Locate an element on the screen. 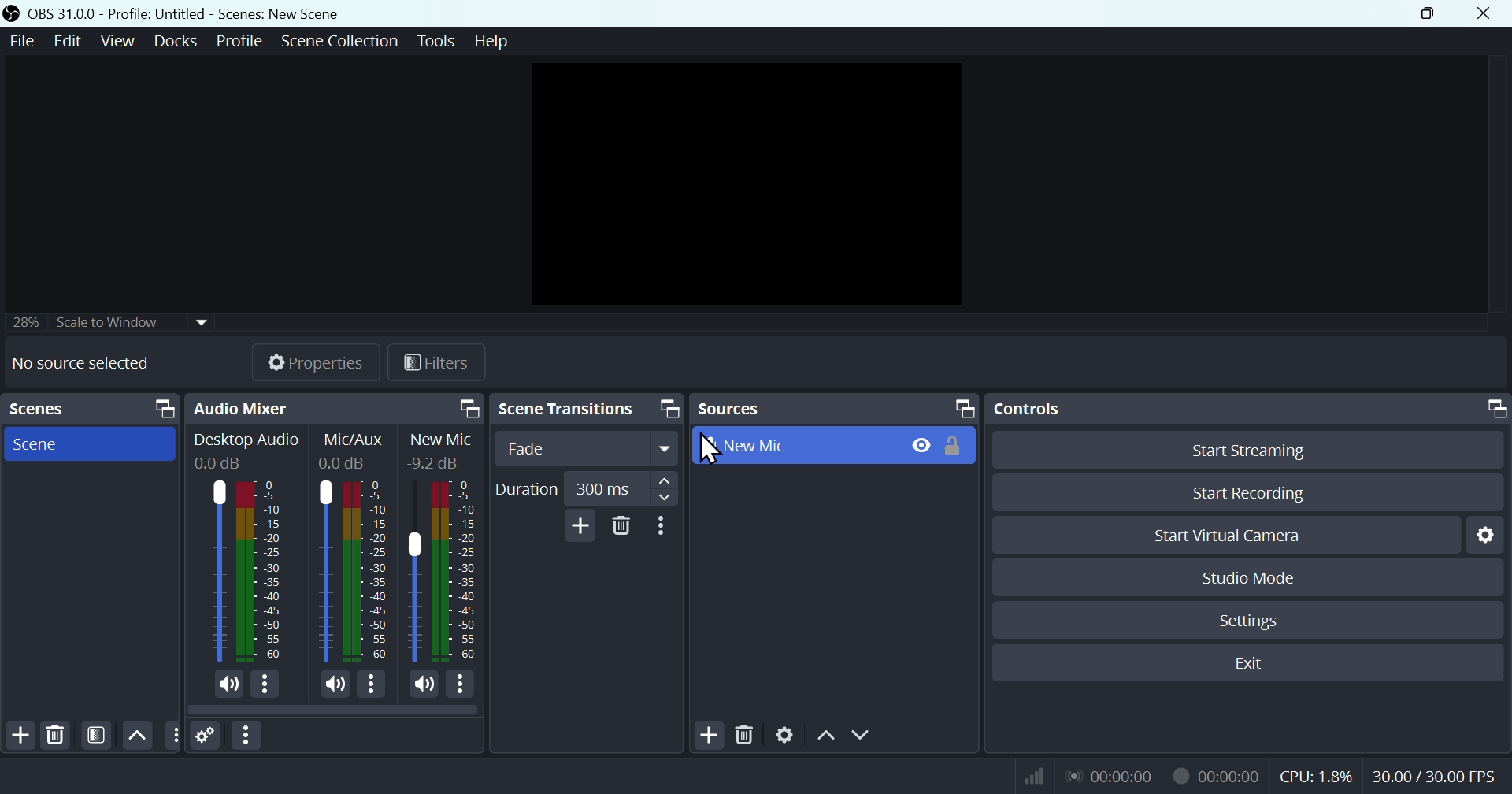 Image resolution: width=1512 pixels, height=794 pixels. Filter is located at coordinates (430, 364).